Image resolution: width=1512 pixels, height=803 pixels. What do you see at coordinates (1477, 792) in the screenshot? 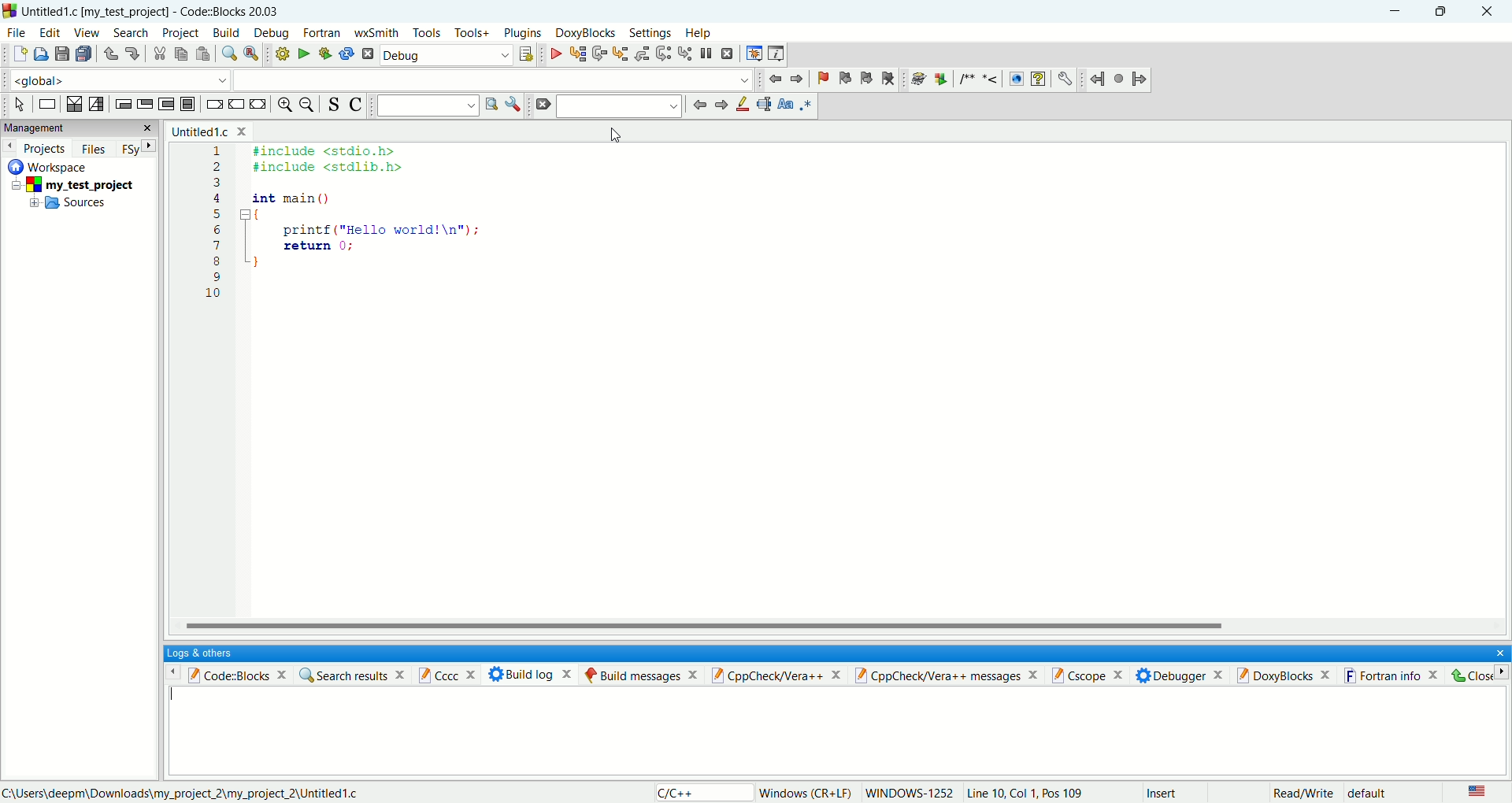
I see `language` at bounding box center [1477, 792].